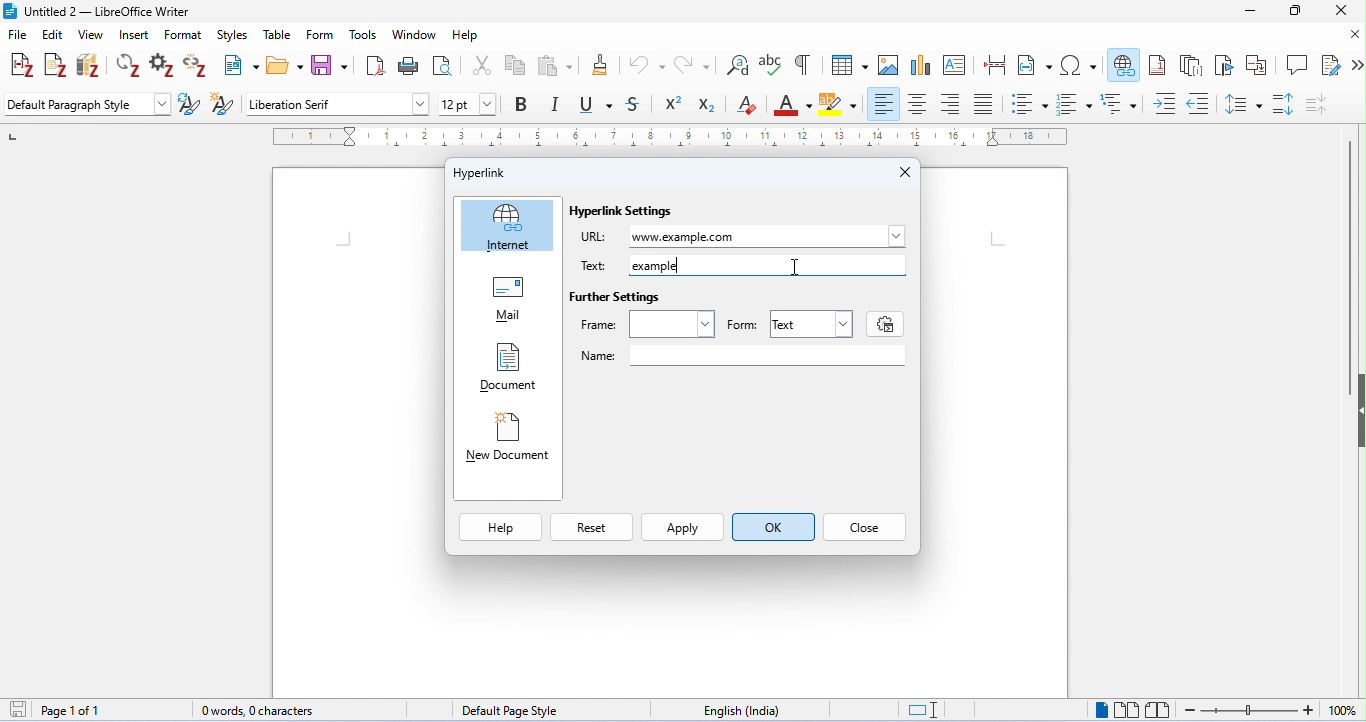 This screenshot has height=722, width=1366. I want to click on align right, so click(952, 103).